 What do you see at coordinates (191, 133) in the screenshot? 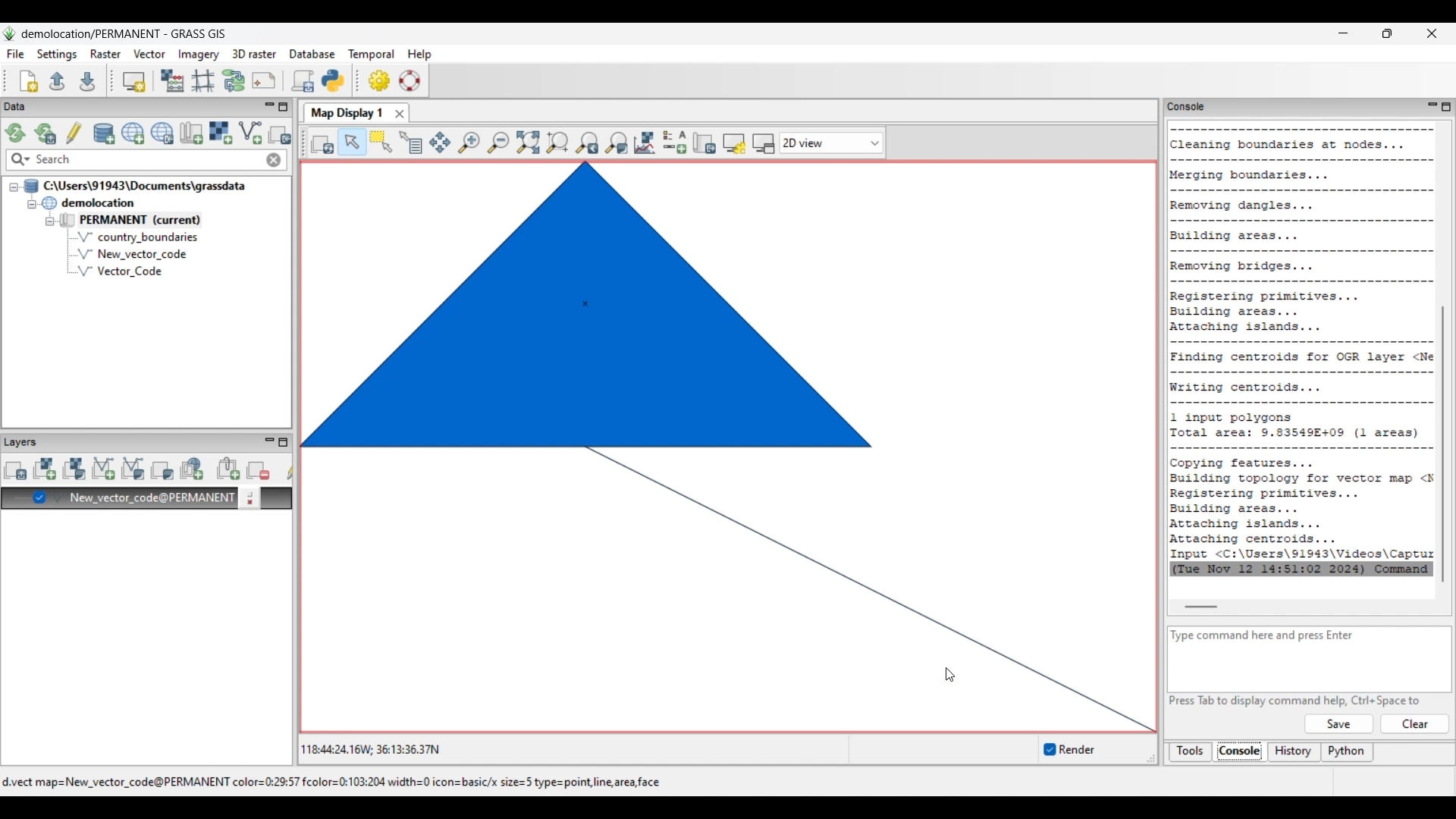
I see `Create new map set in current project` at bounding box center [191, 133].